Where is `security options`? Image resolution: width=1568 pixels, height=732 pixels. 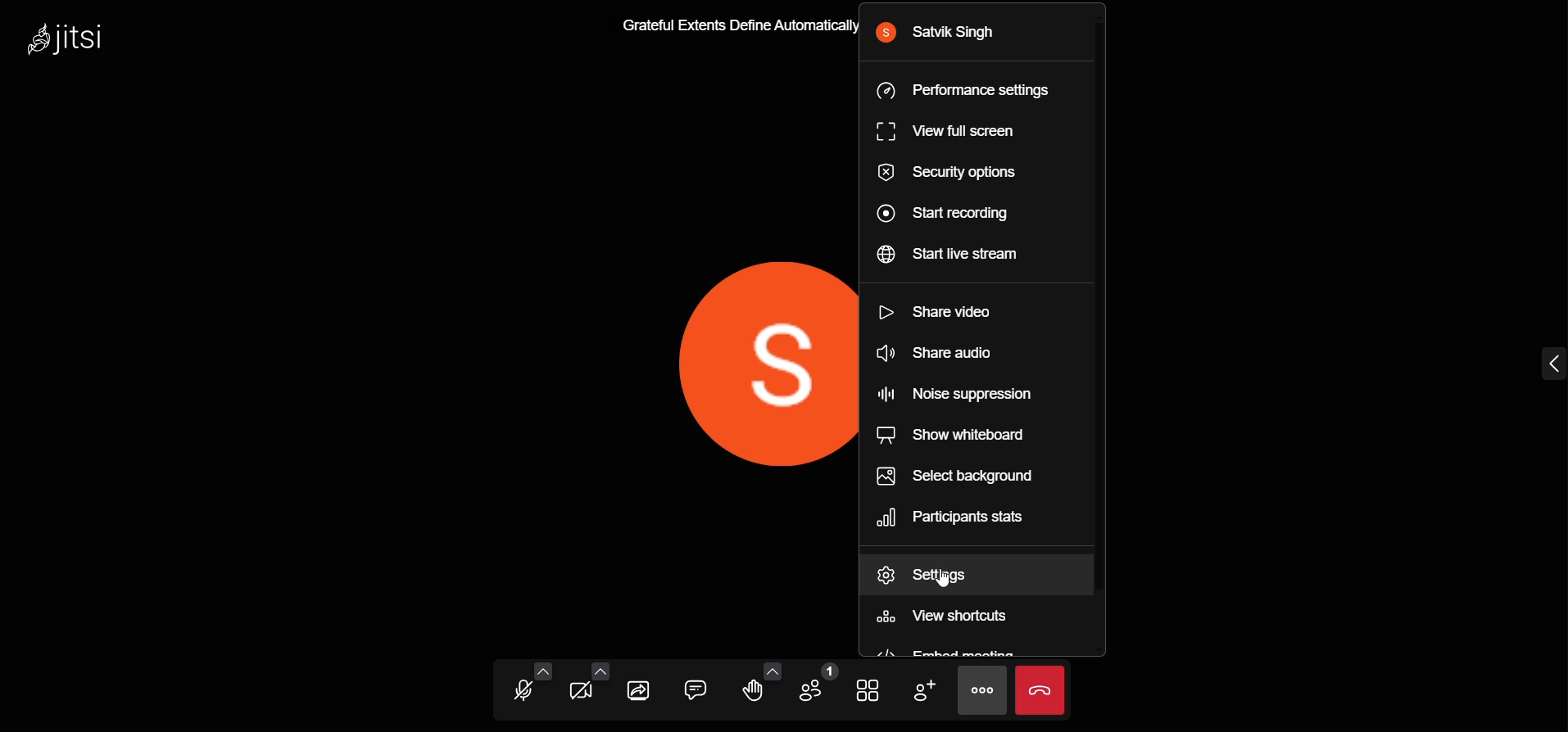 security options is located at coordinates (945, 173).